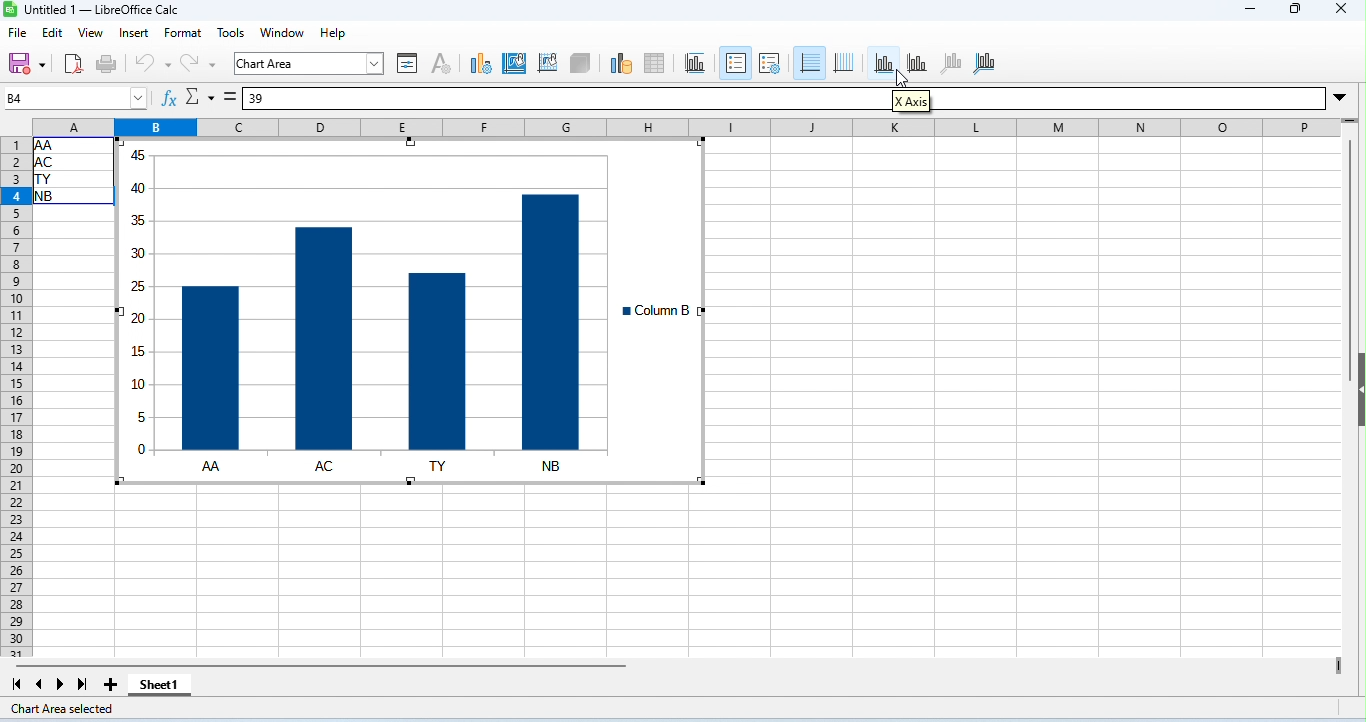 The height and width of the screenshot is (722, 1366). What do you see at coordinates (696, 62) in the screenshot?
I see `tiles` at bounding box center [696, 62].